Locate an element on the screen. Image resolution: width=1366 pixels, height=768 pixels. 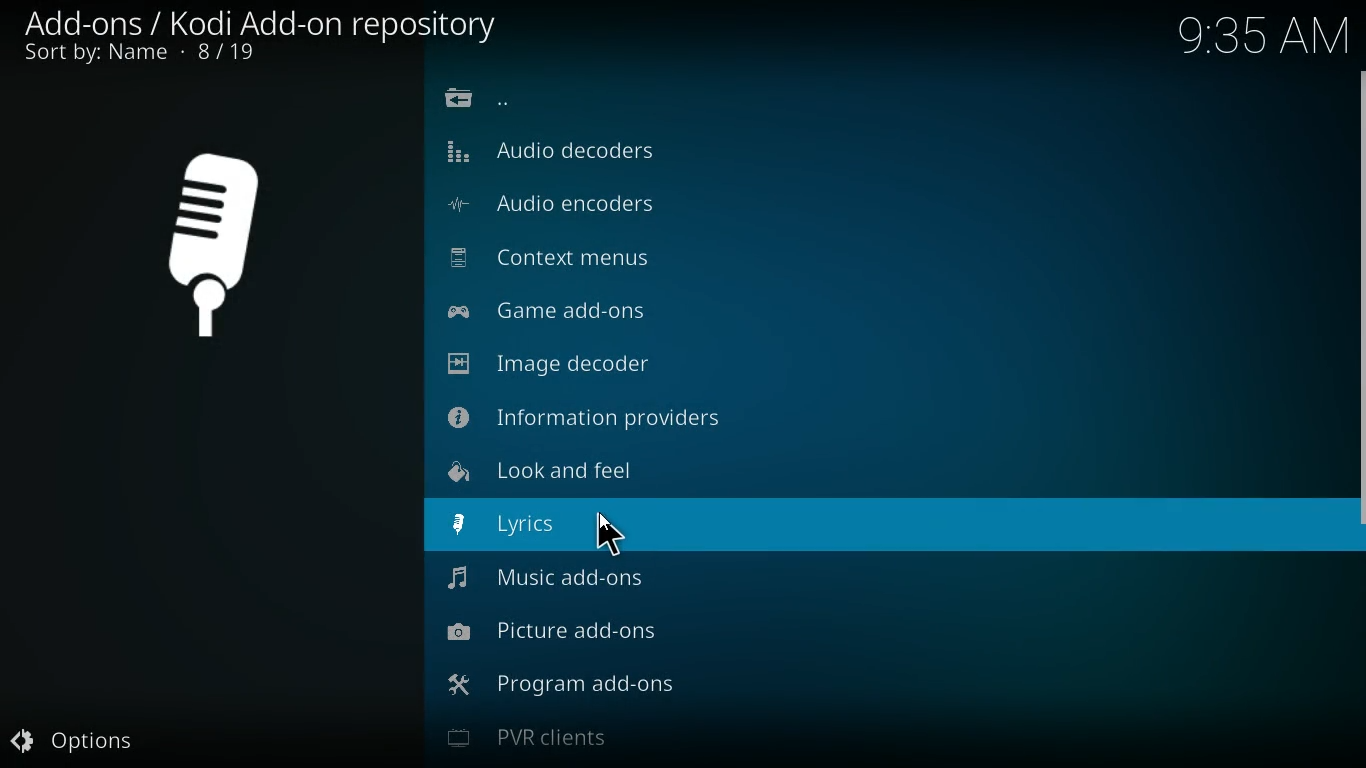
audio encoders is located at coordinates (585, 208).